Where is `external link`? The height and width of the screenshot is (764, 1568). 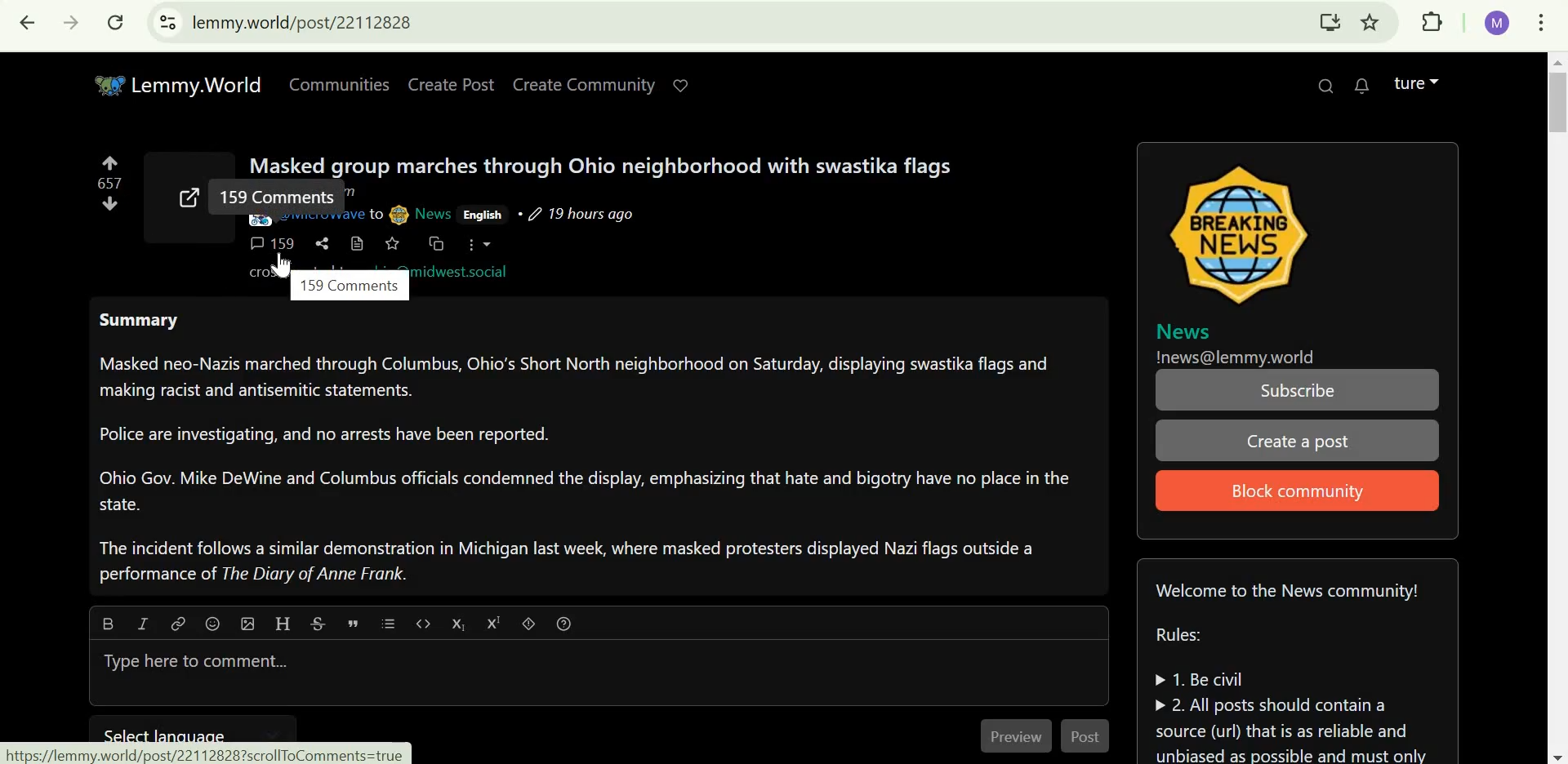
external link is located at coordinates (192, 196).